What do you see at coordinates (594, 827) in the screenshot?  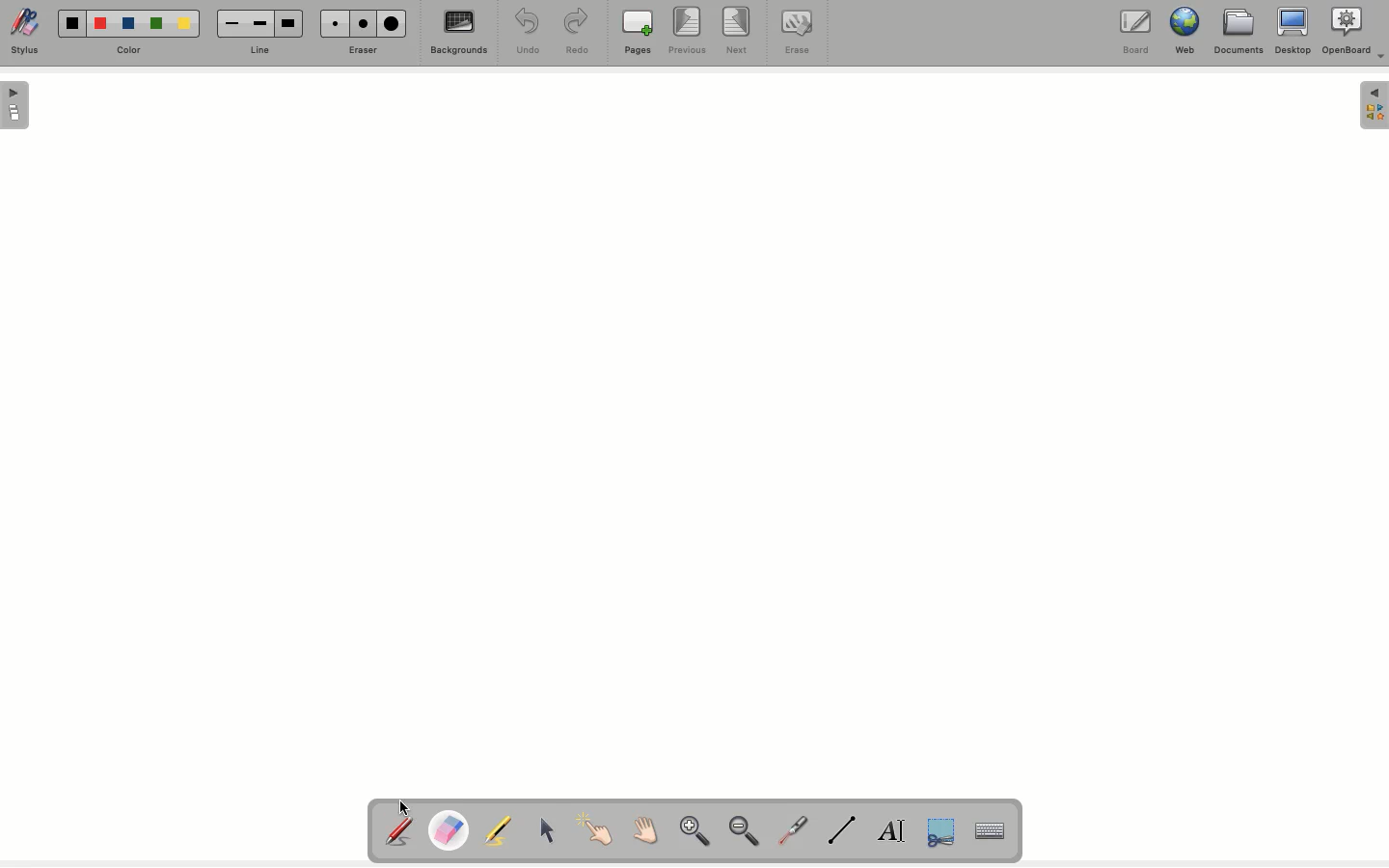 I see `Point` at bounding box center [594, 827].